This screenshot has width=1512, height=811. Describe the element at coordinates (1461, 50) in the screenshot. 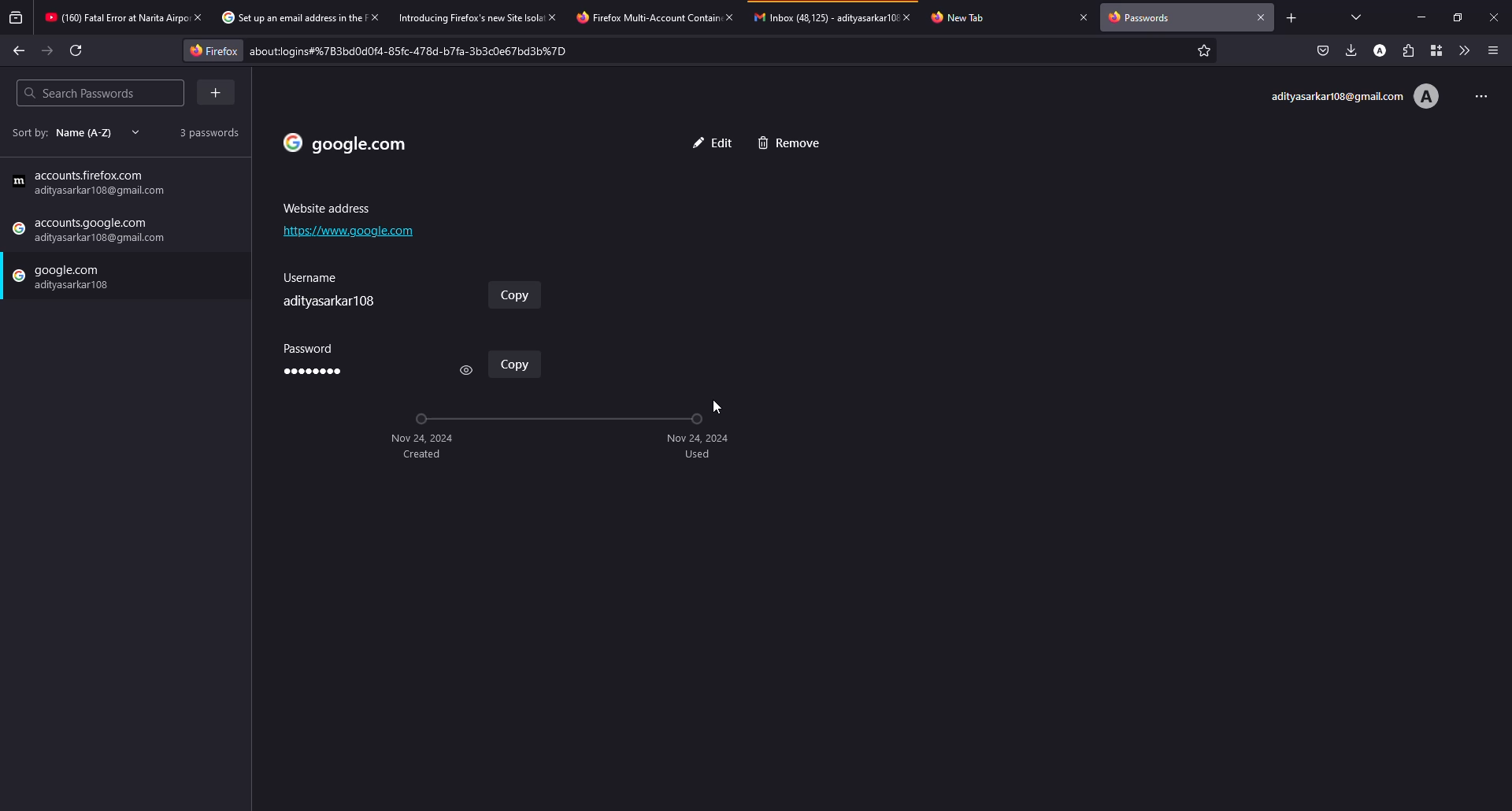

I see `more tools` at that location.